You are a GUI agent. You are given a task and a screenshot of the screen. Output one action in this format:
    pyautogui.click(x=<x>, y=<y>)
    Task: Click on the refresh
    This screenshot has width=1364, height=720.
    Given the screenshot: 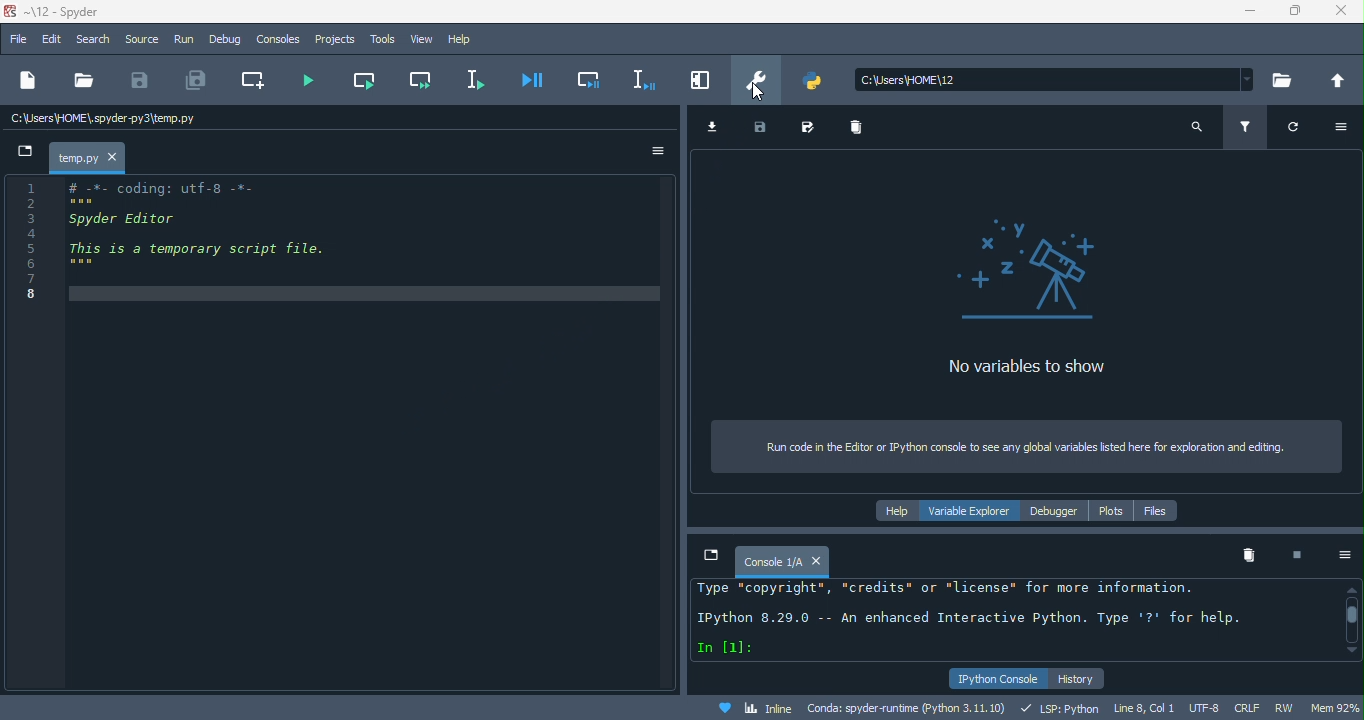 What is the action you would take?
    pyautogui.click(x=1302, y=131)
    